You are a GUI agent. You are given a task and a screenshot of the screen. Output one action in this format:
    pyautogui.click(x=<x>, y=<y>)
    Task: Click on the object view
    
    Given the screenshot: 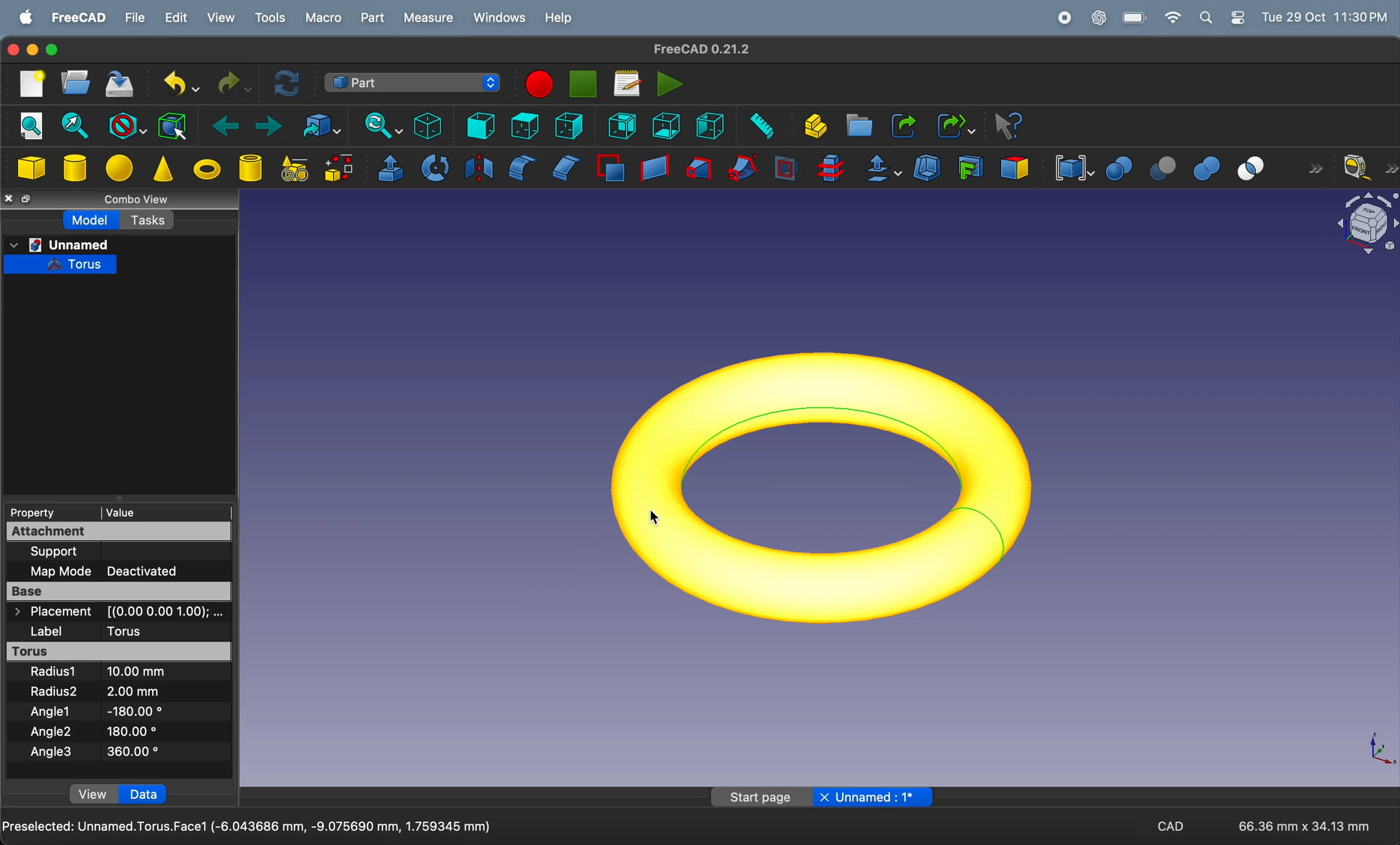 What is the action you would take?
    pyautogui.click(x=1366, y=225)
    